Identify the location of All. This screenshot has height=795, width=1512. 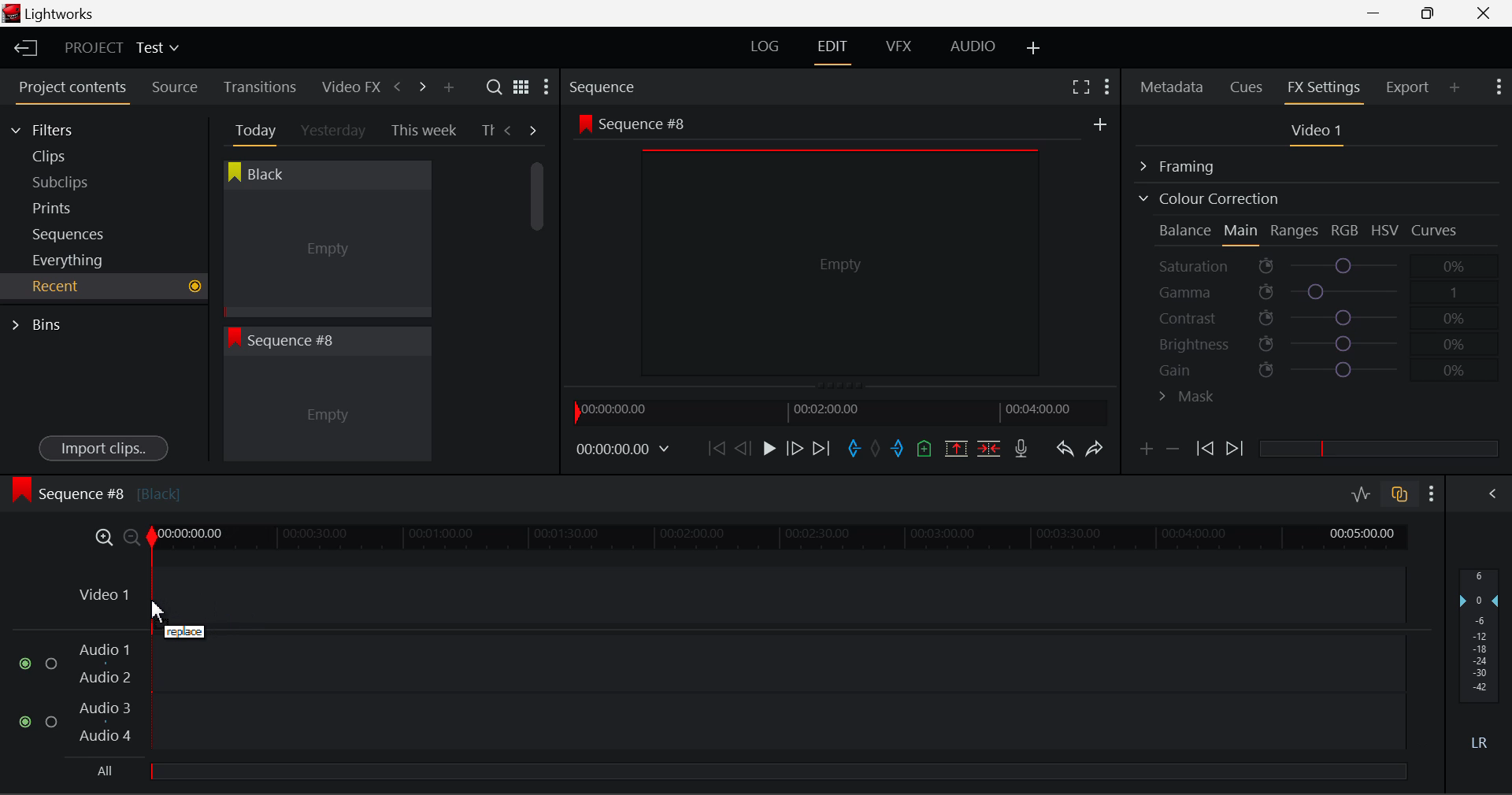
(102, 771).